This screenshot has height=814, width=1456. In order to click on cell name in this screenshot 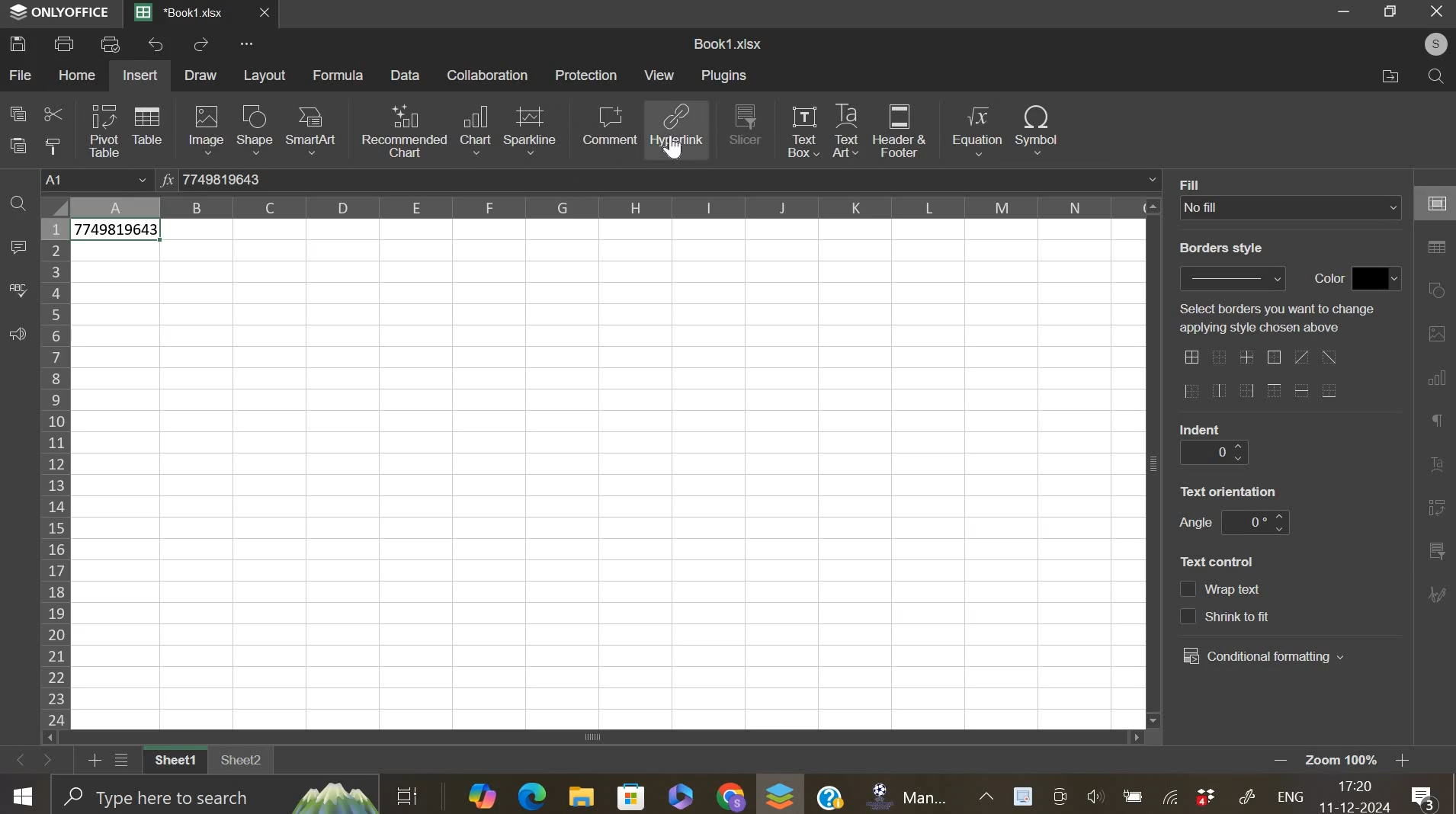, I will do `click(98, 181)`.